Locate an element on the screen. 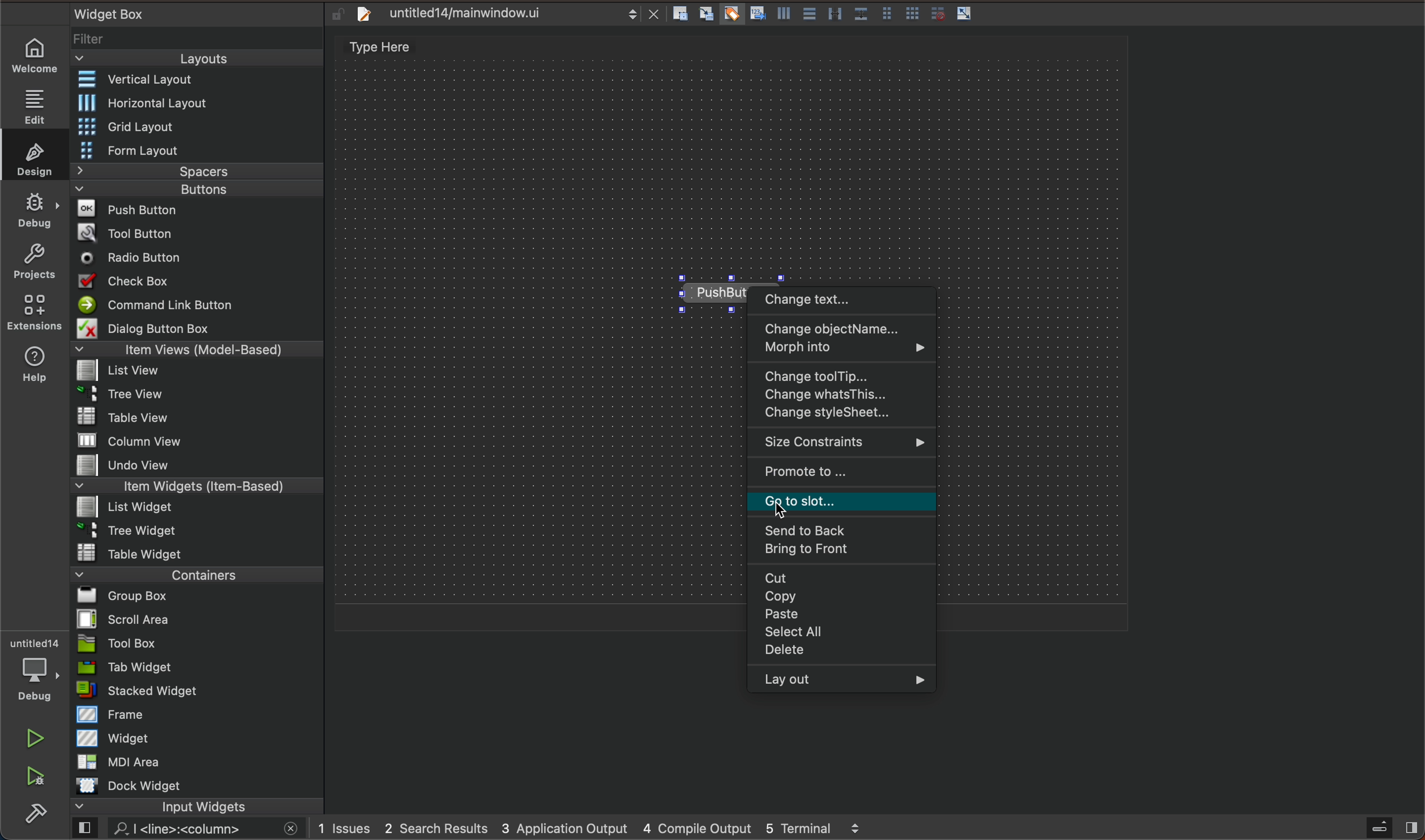 The width and height of the screenshot is (1425, 840). bring to front is located at coordinates (842, 550).